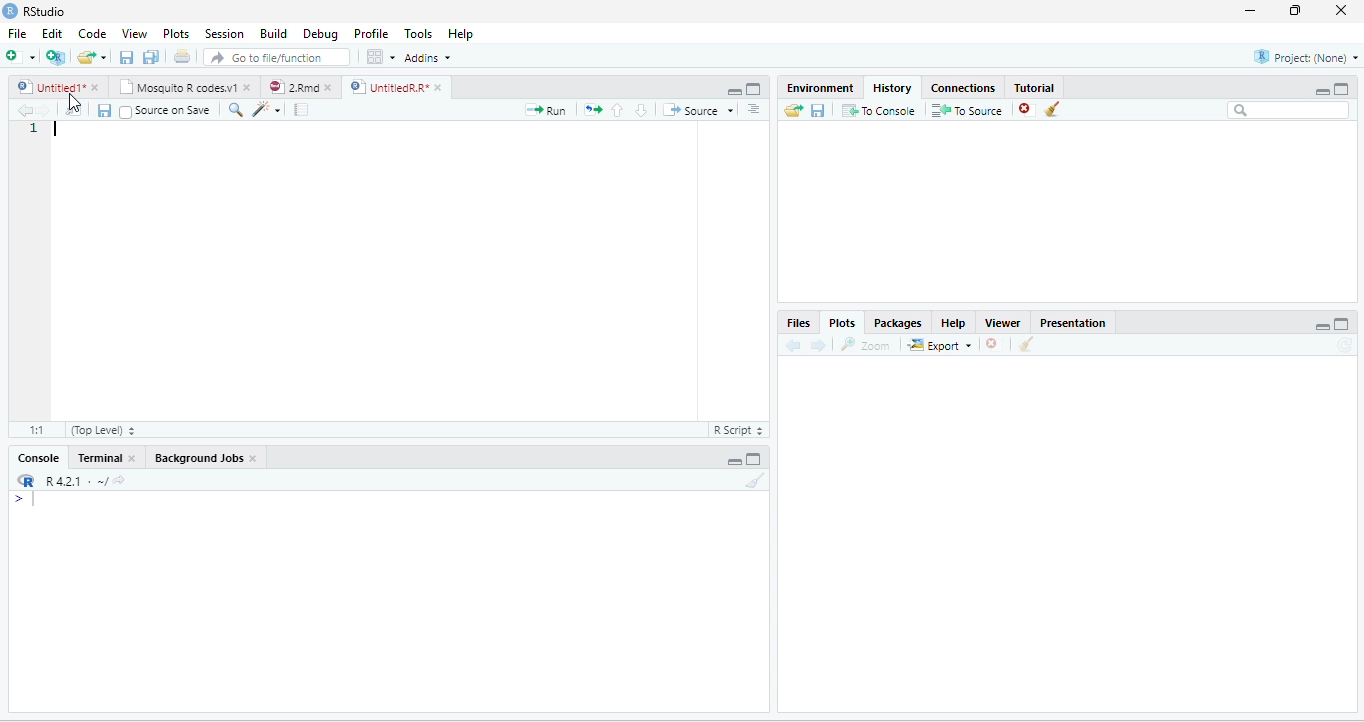 The width and height of the screenshot is (1364, 722). Describe the element at coordinates (1251, 11) in the screenshot. I see `minimize` at that location.